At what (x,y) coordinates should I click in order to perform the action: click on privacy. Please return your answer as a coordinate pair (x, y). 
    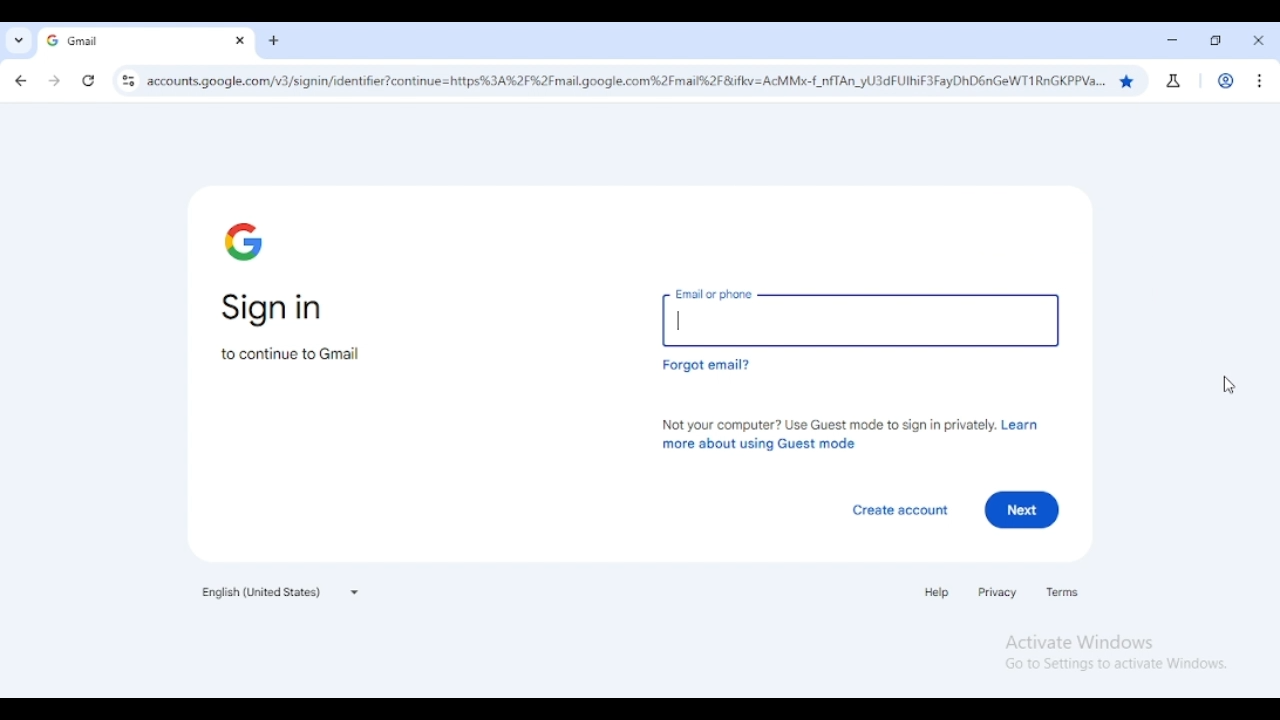
    Looking at the image, I should click on (998, 593).